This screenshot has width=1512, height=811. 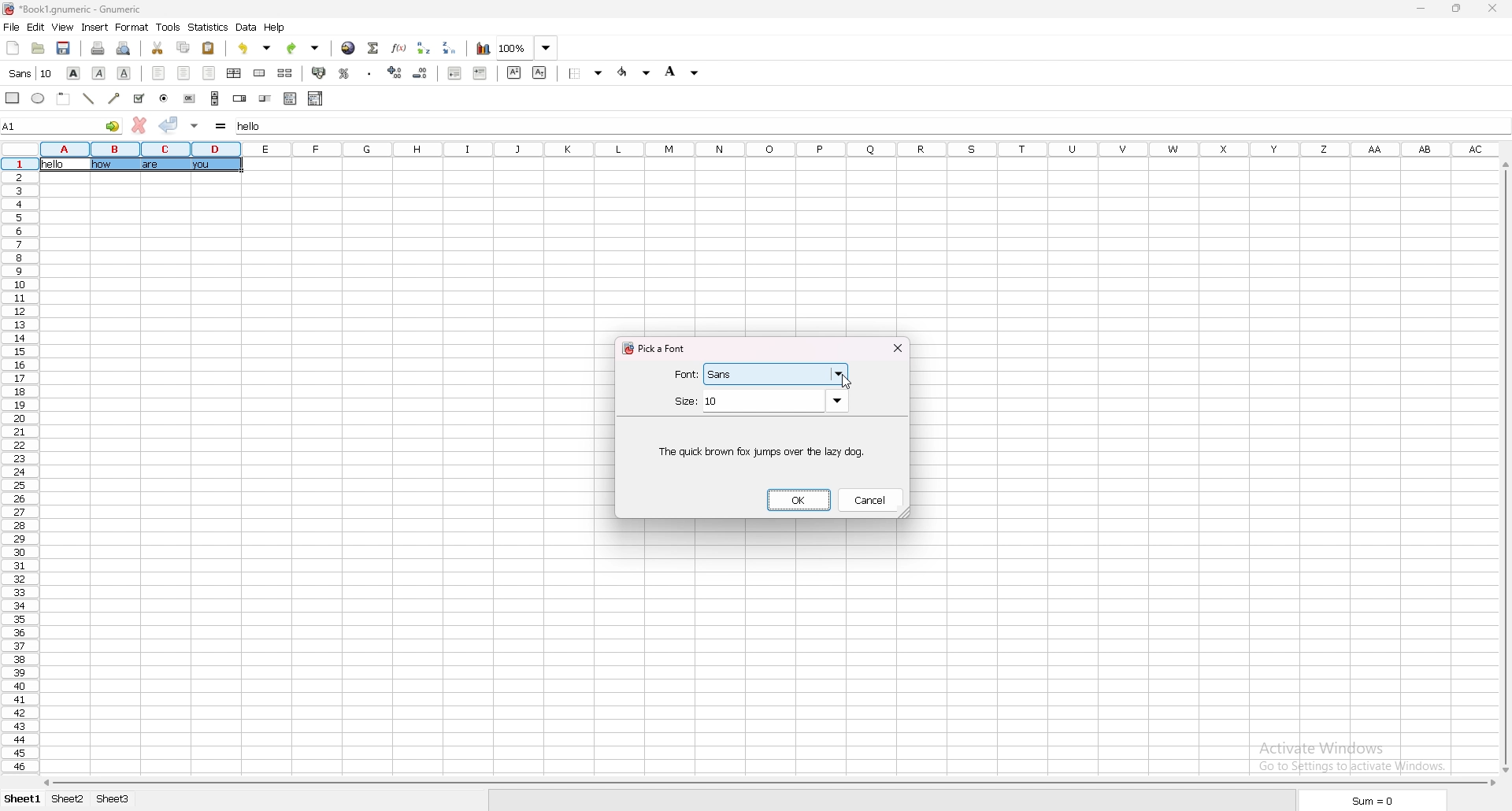 What do you see at coordinates (190, 98) in the screenshot?
I see `button` at bounding box center [190, 98].